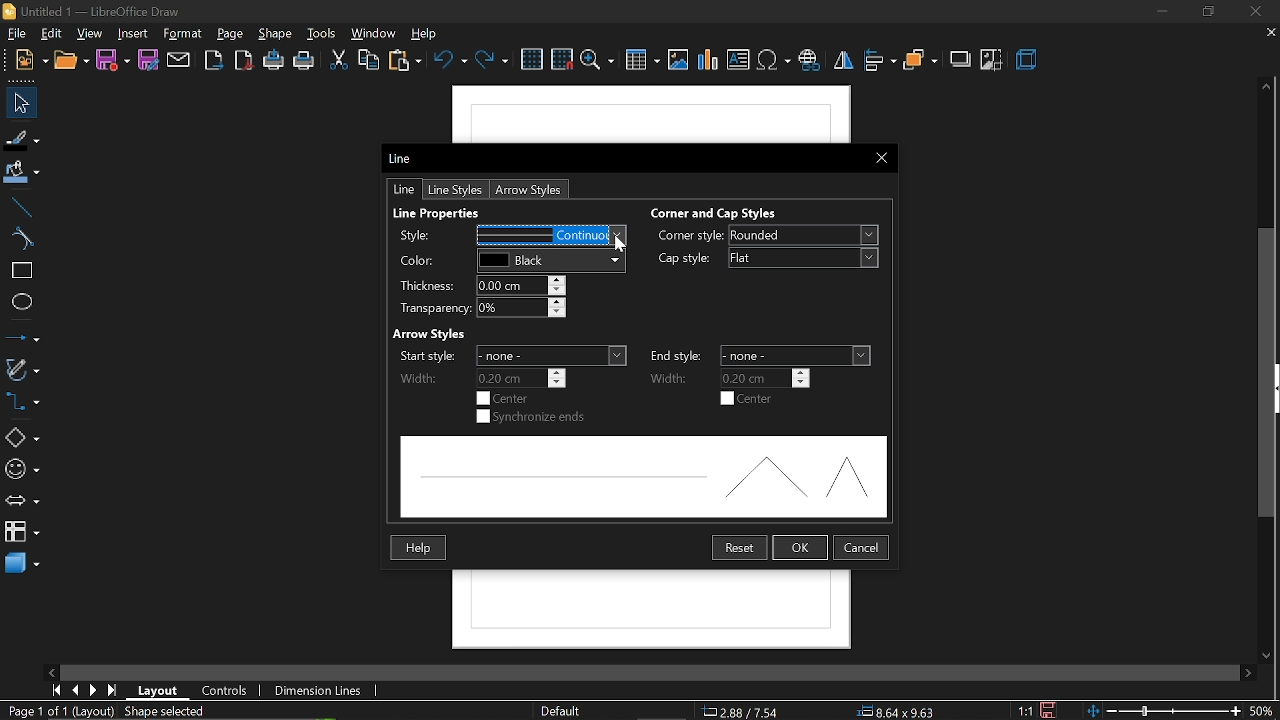 The width and height of the screenshot is (1280, 720). What do you see at coordinates (404, 63) in the screenshot?
I see `paste` at bounding box center [404, 63].